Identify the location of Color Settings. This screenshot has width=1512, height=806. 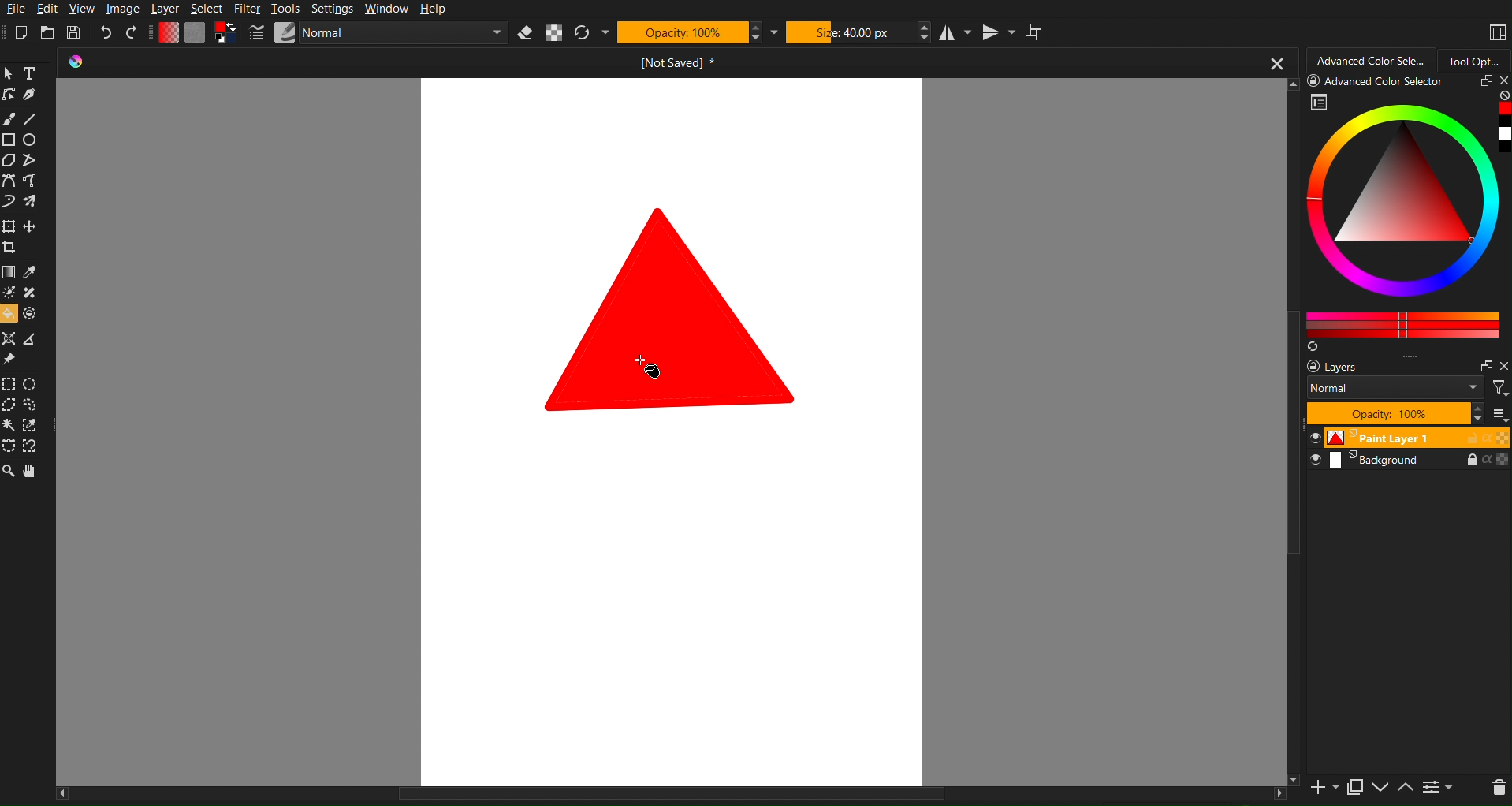
(192, 32).